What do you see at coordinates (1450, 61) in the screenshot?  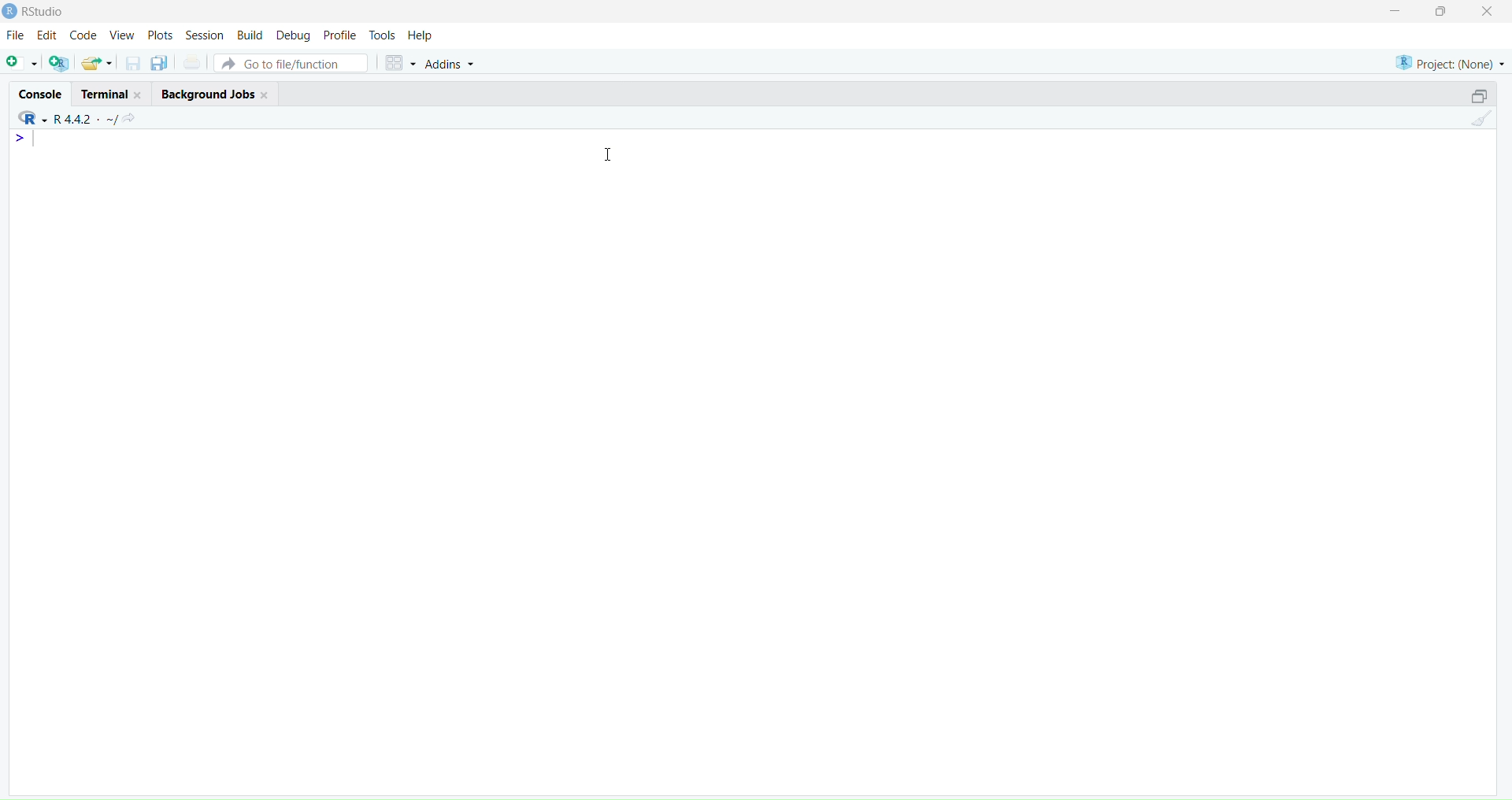 I see `Project: (None)` at bounding box center [1450, 61].